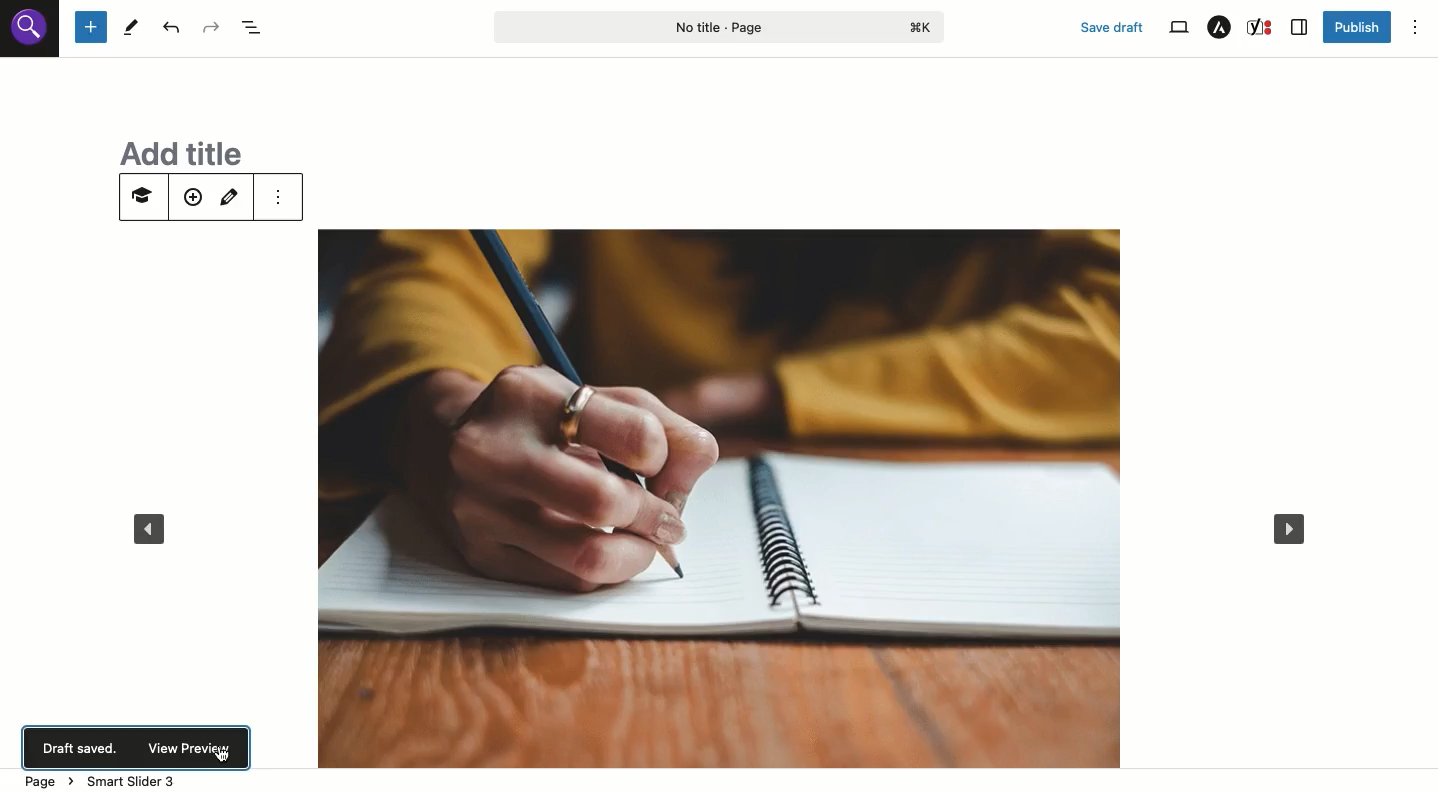 Image resolution: width=1438 pixels, height=792 pixels. What do you see at coordinates (172, 150) in the screenshot?
I see `Title` at bounding box center [172, 150].